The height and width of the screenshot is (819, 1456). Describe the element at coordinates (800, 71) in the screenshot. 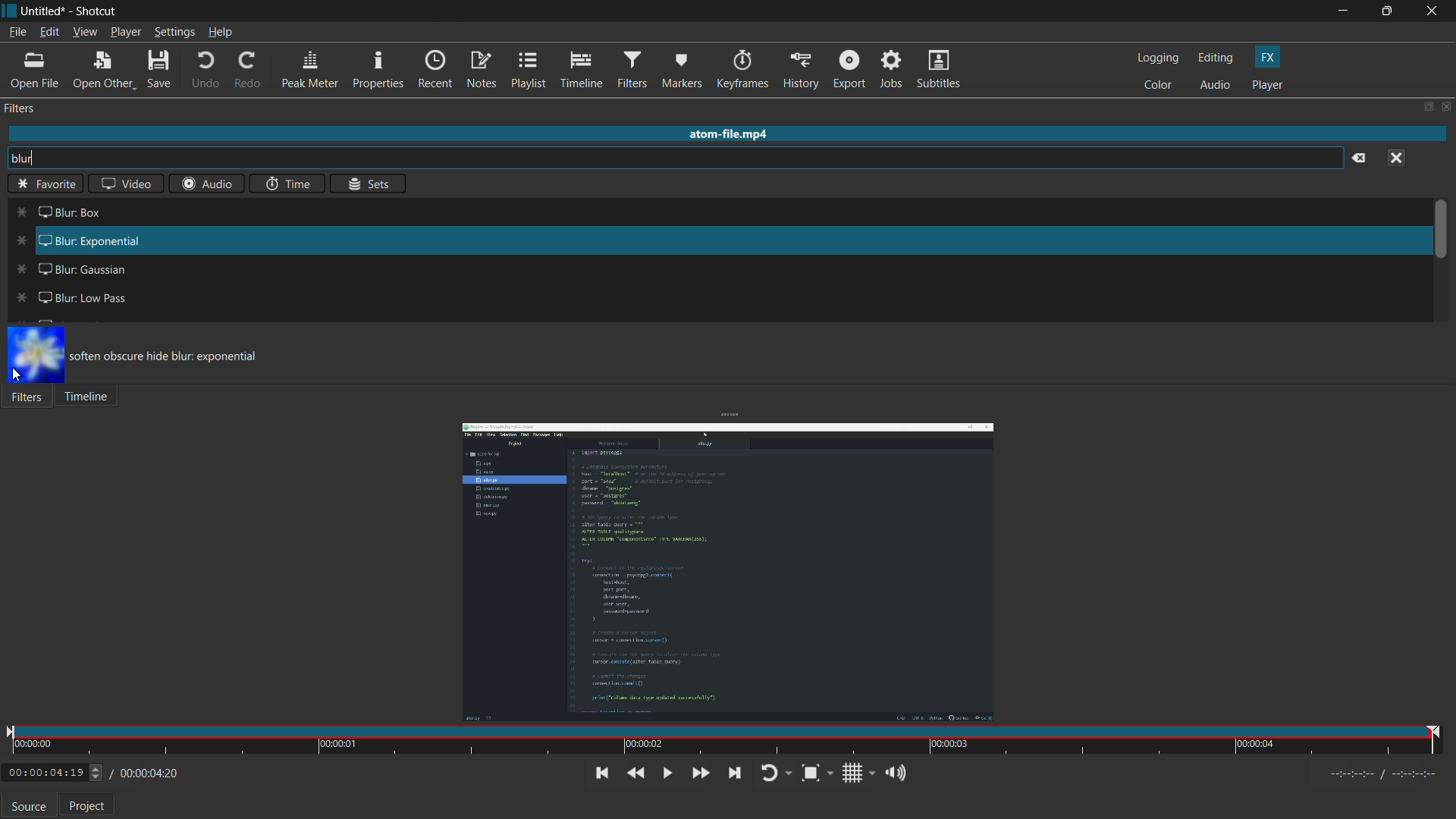

I see `history` at that location.